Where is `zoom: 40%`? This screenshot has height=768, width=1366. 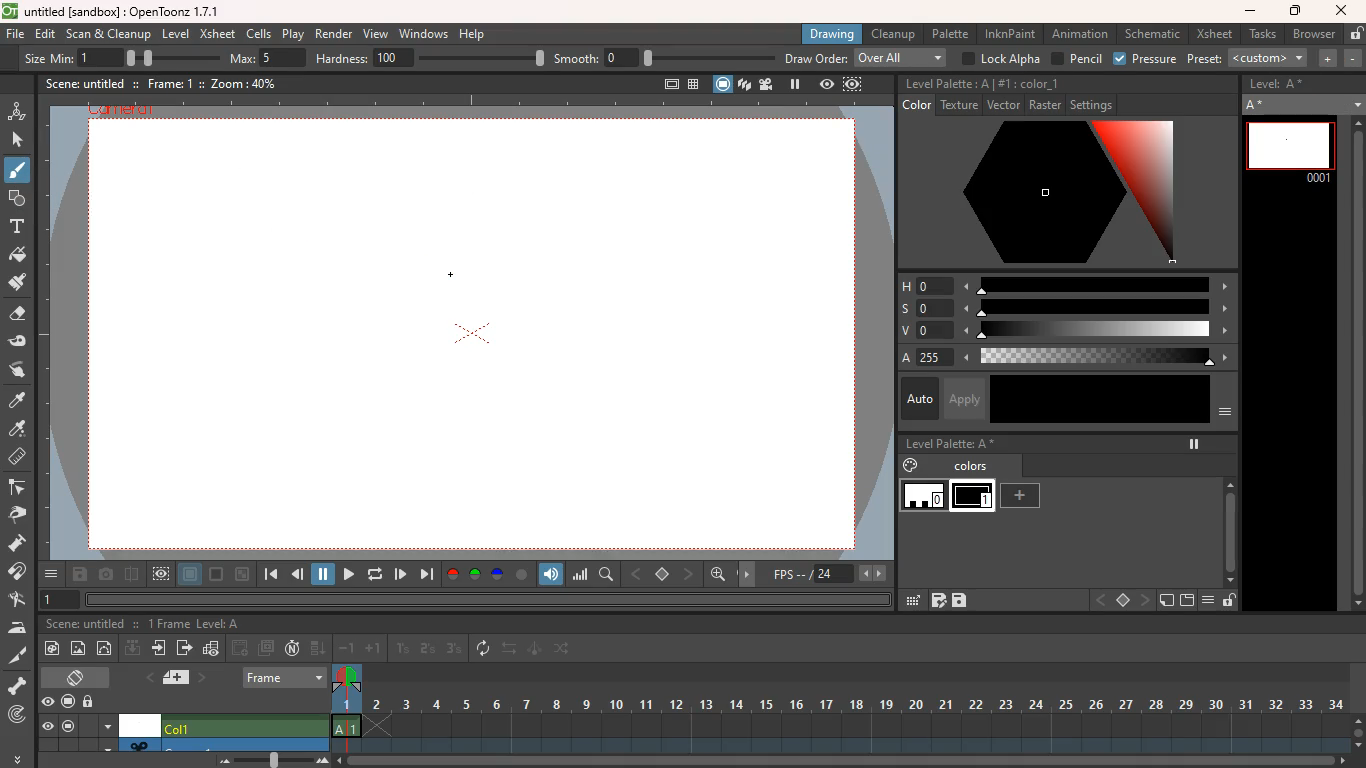
zoom: 40% is located at coordinates (240, 83).